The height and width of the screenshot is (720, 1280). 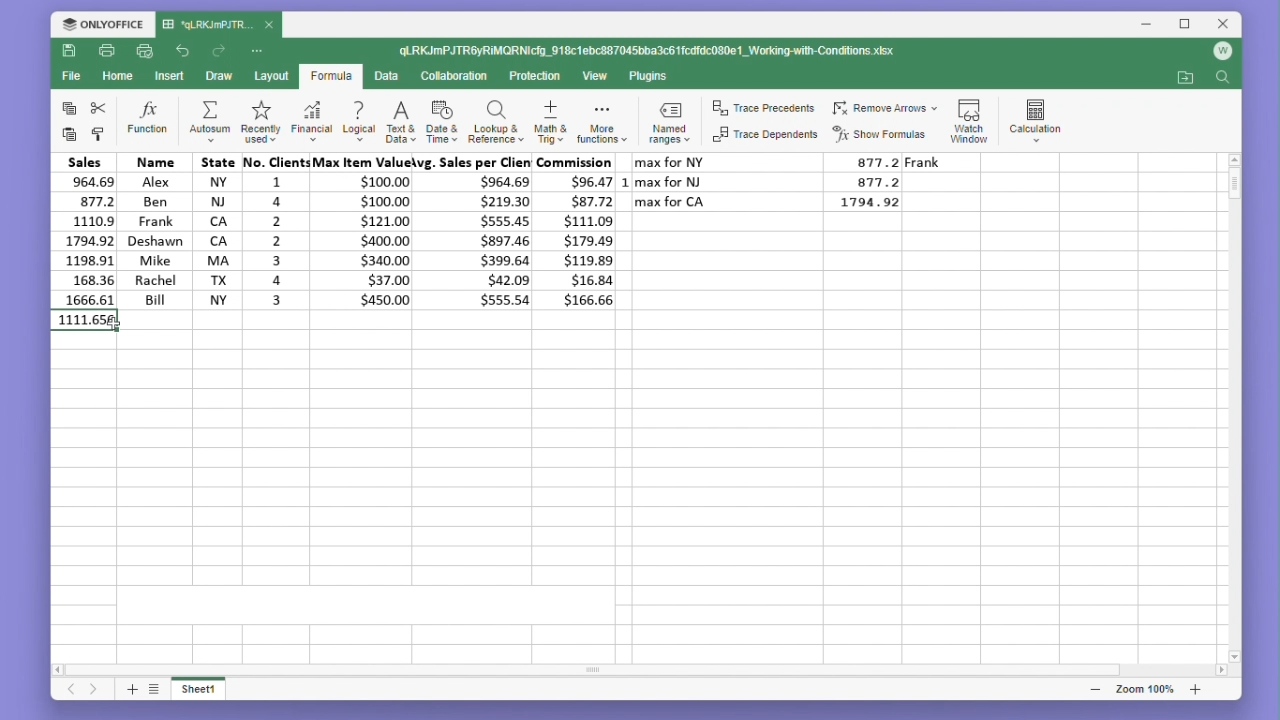 I want to click on State, so click(x=217, y=230).